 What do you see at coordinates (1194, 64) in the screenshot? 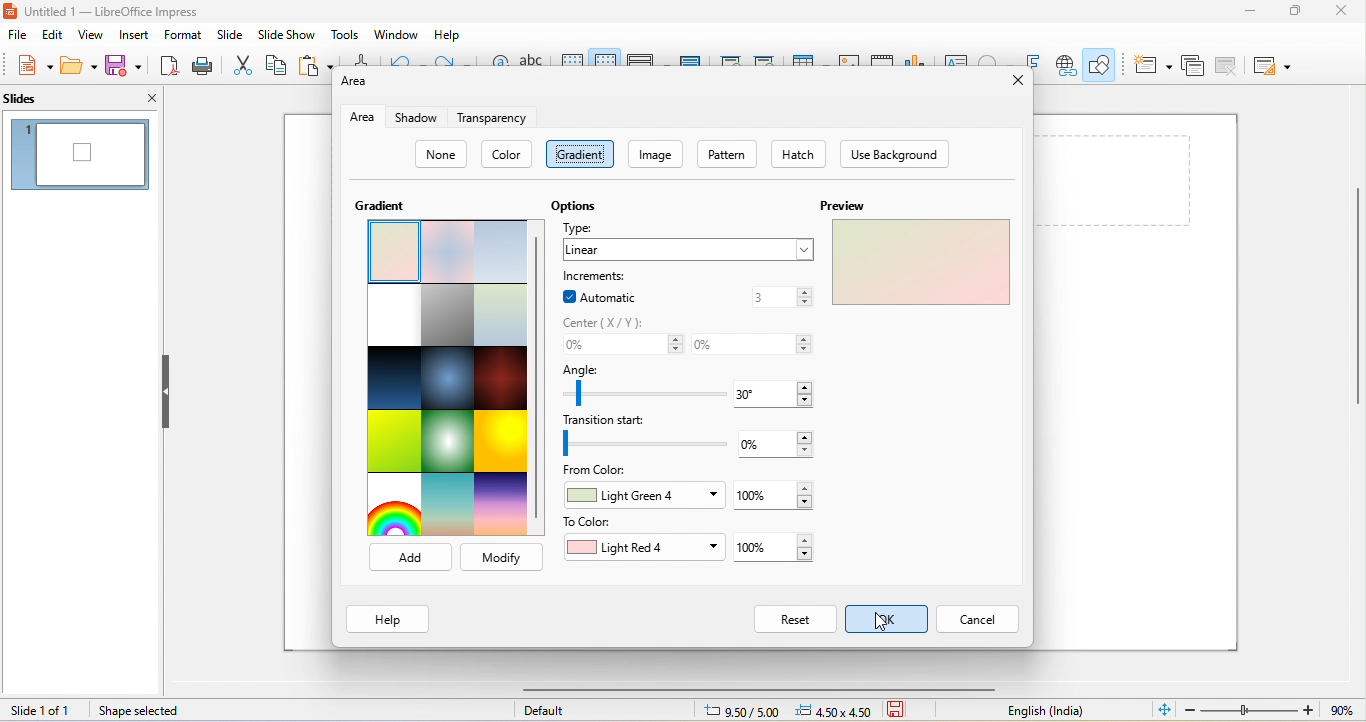
I see `duplicate` at bounding box center [1194, 64].